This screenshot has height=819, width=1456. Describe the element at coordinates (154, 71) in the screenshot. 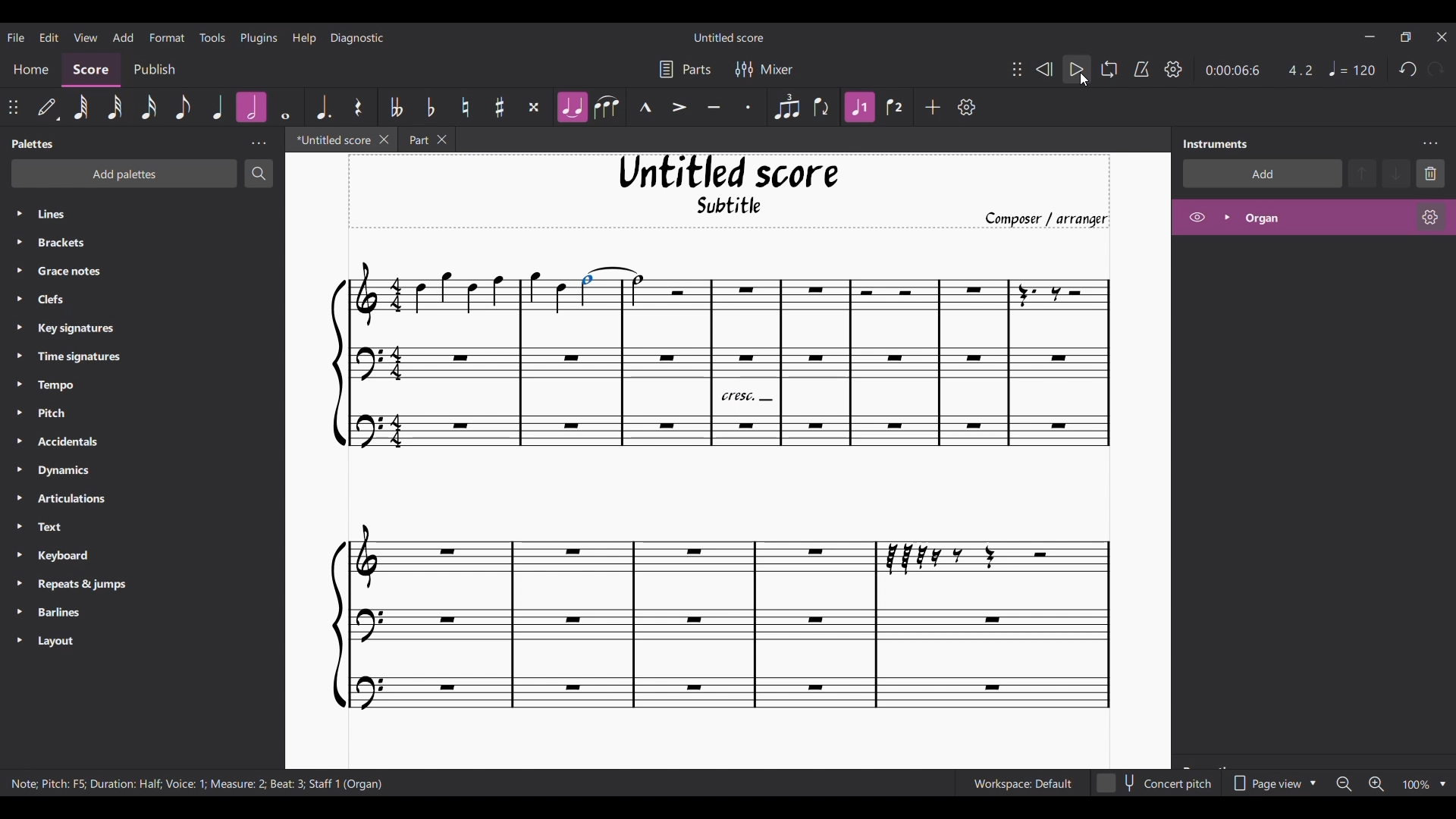

I see `Publish section` at that location.